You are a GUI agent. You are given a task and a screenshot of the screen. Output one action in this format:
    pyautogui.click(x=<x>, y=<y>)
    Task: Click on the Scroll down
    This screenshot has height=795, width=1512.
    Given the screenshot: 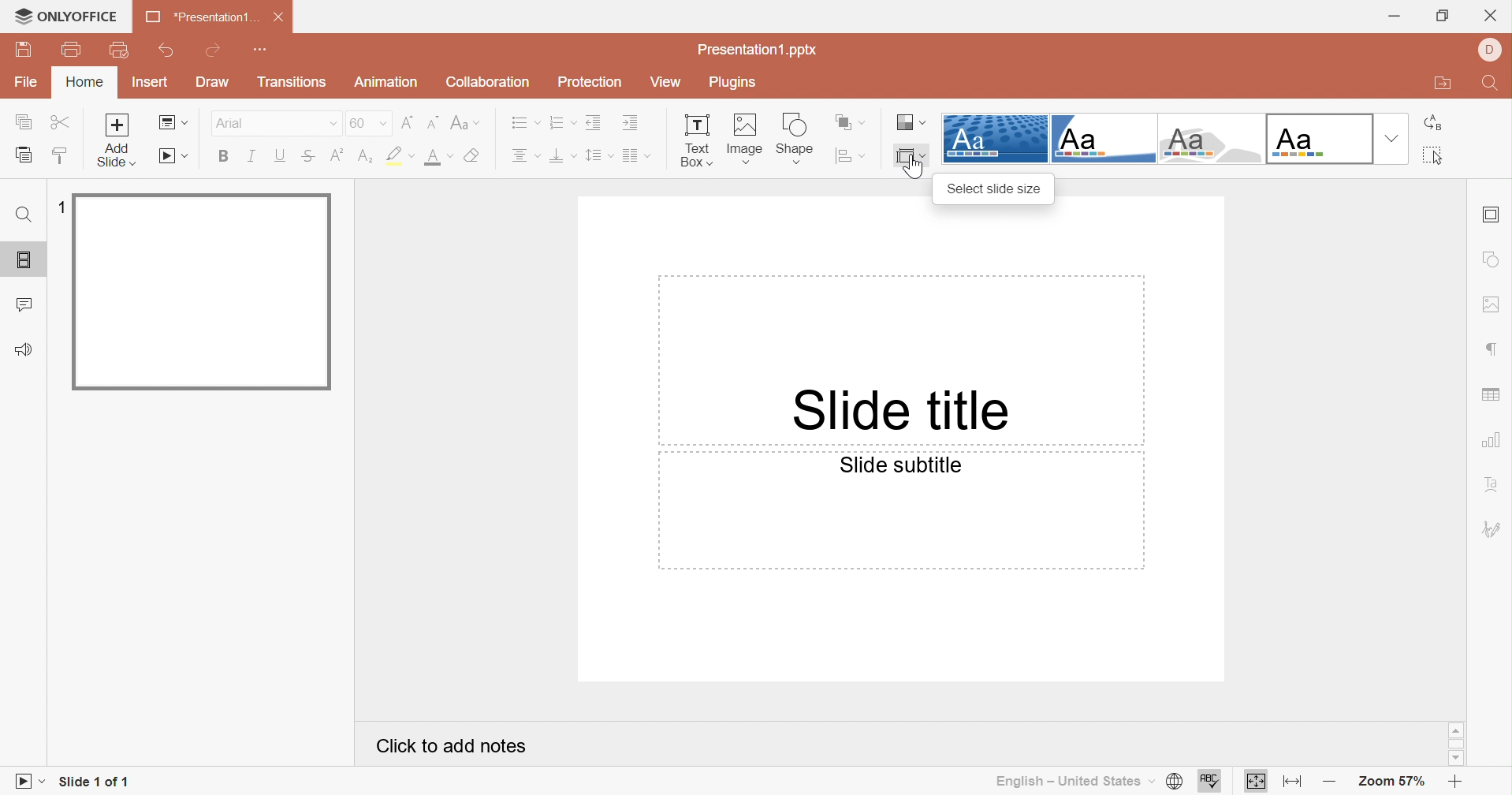 What is the action you would take?
    pyautogui.click(x=1456, y=758)
    